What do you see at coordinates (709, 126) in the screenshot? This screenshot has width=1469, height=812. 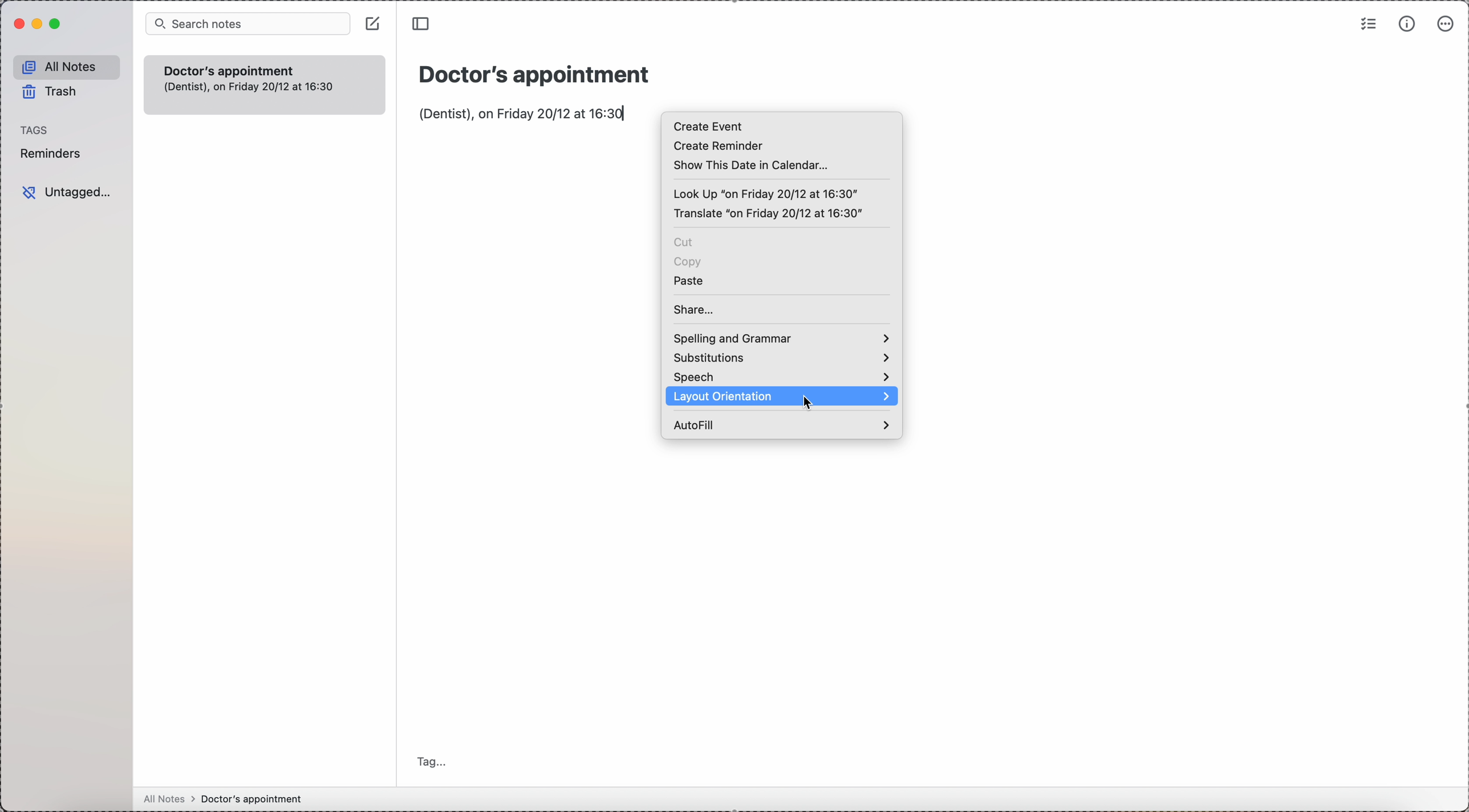 I see `create event` at bounding box center [709, 126].